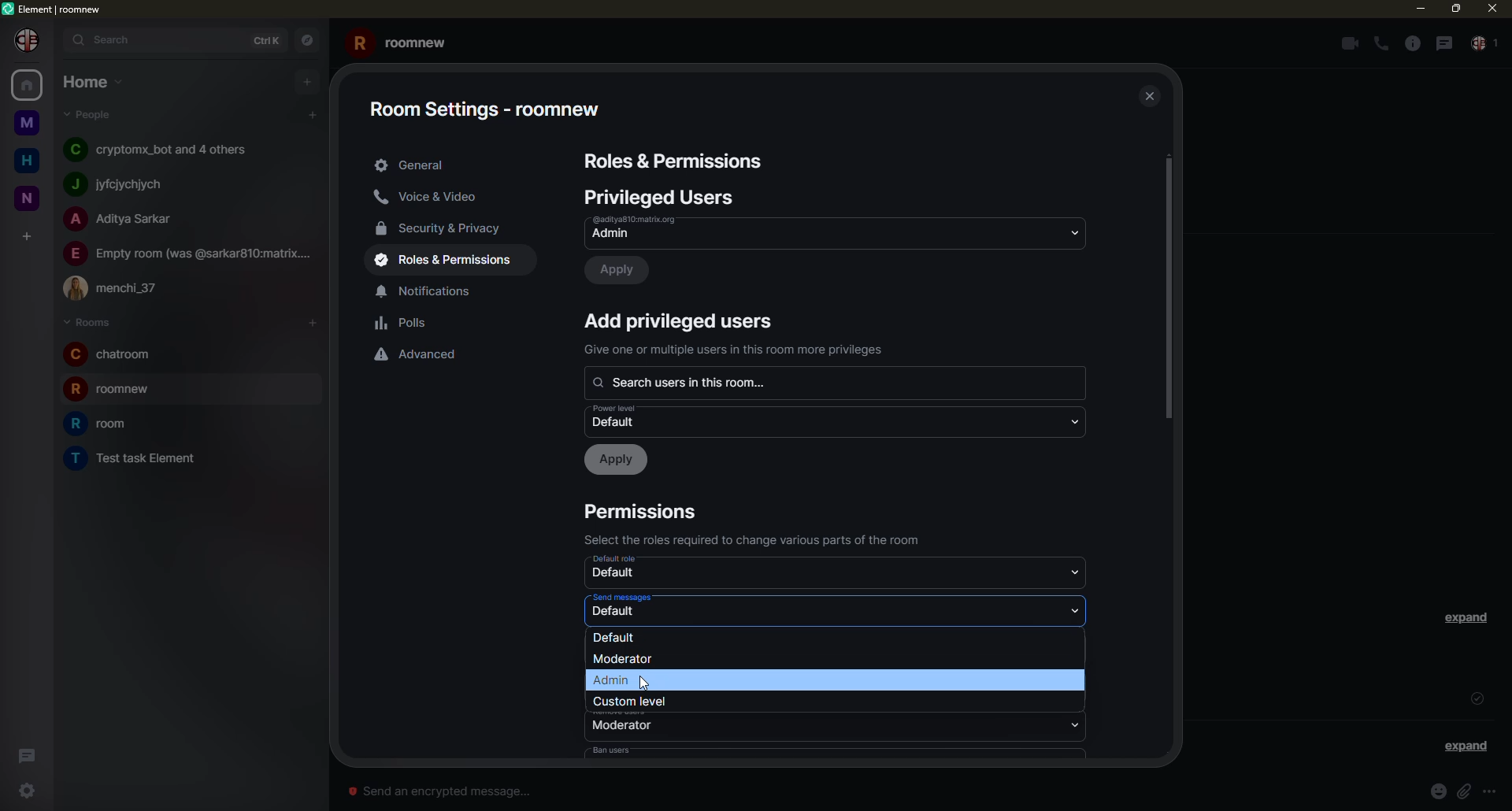  I want to click on search, so click(109, 41).